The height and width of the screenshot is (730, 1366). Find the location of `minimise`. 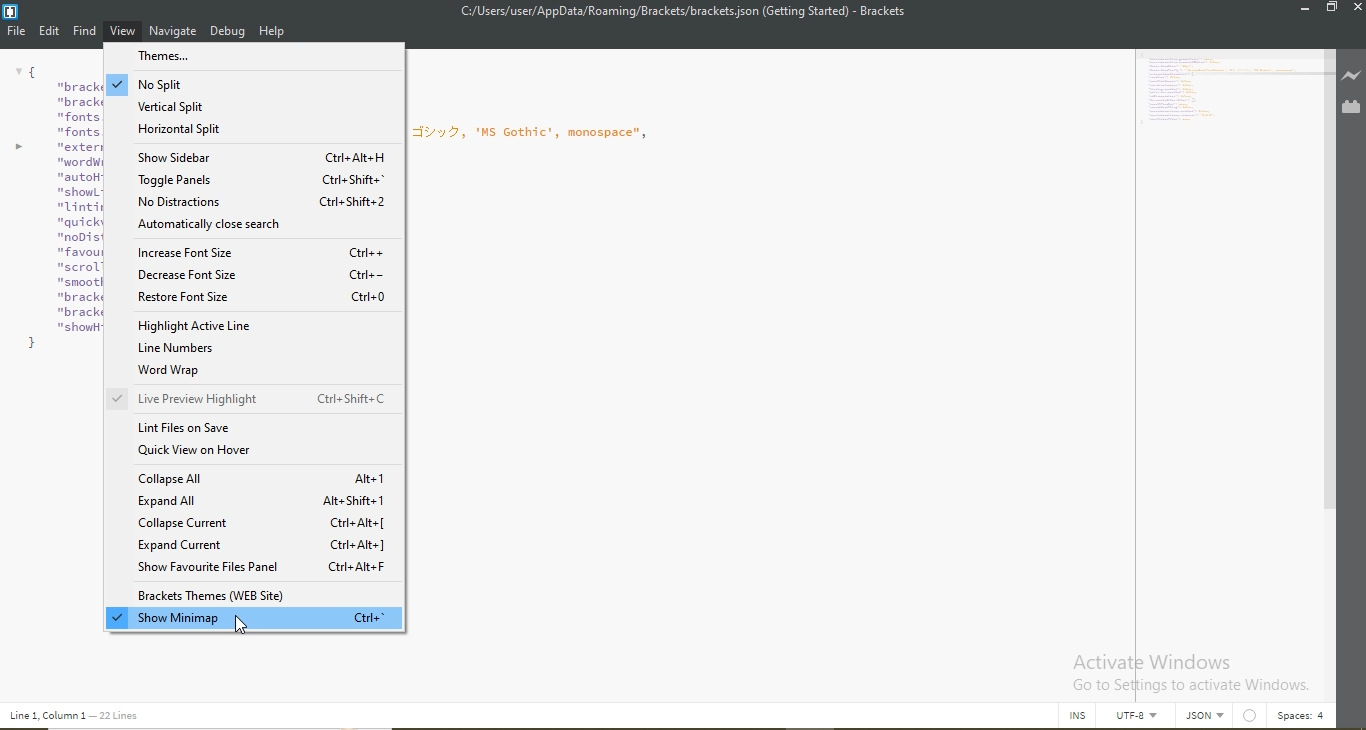

minimise is located at coordinates (1302, 9).